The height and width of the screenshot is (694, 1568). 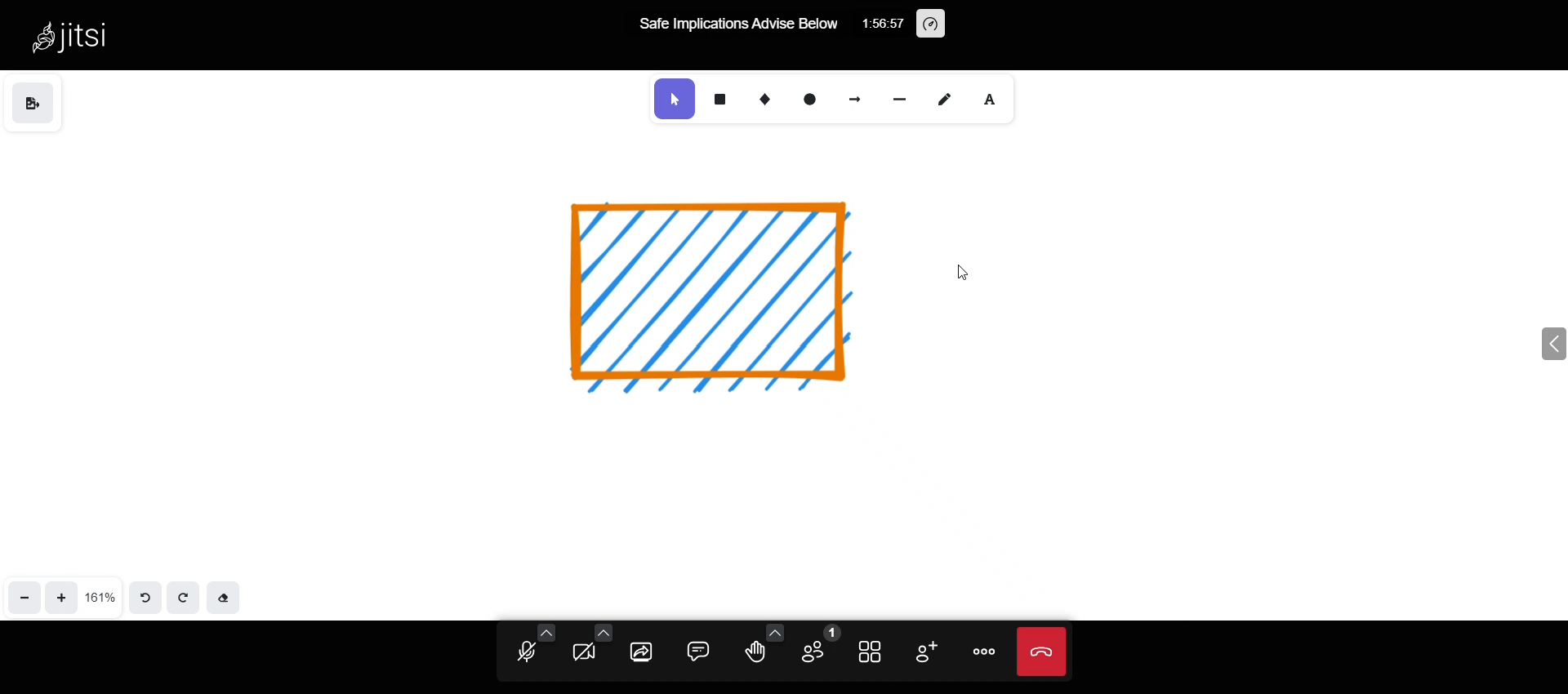 I want to click on zoom in, so click(x=57, y=598).